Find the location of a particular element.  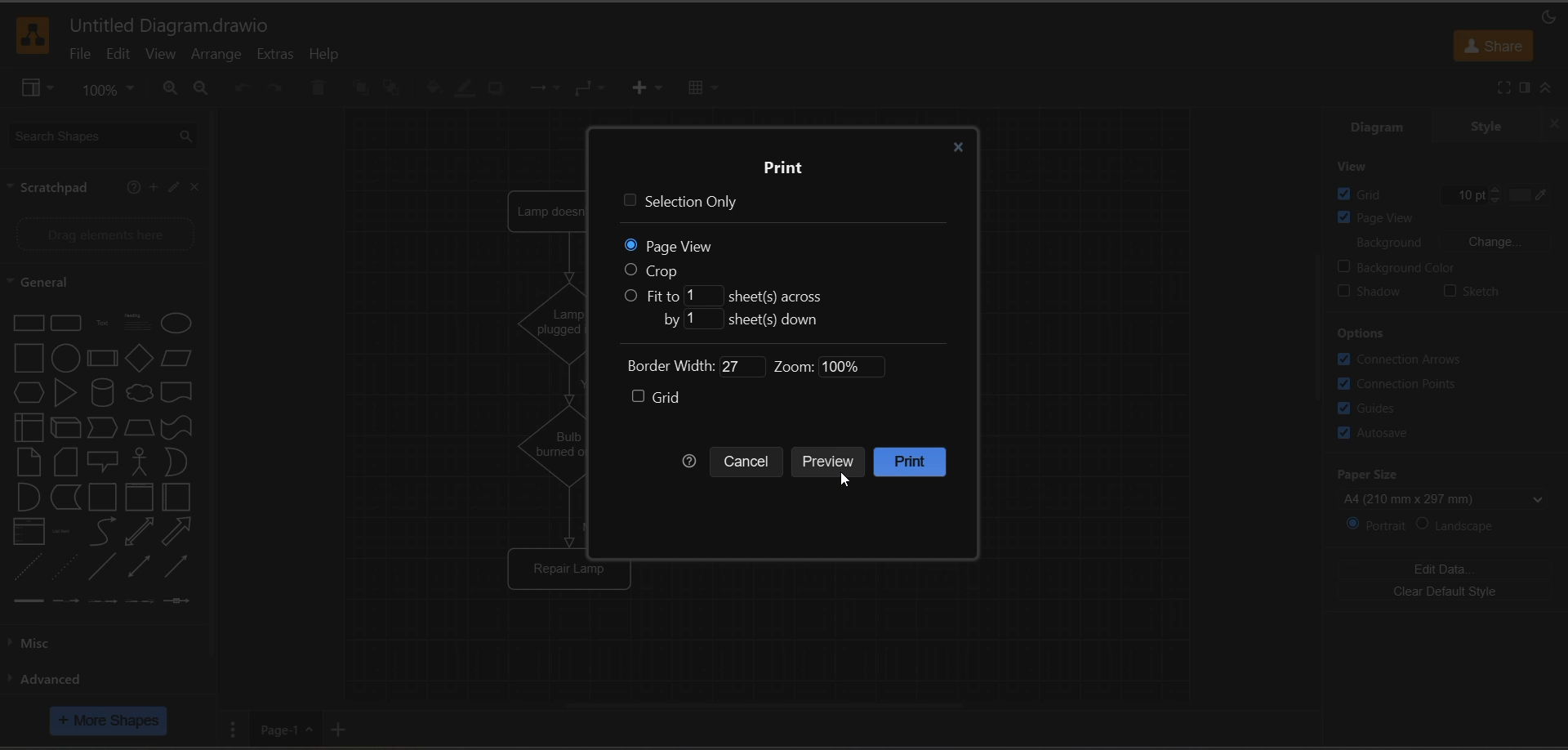

horizontal scroll bar is located at coordinates (762, 712).